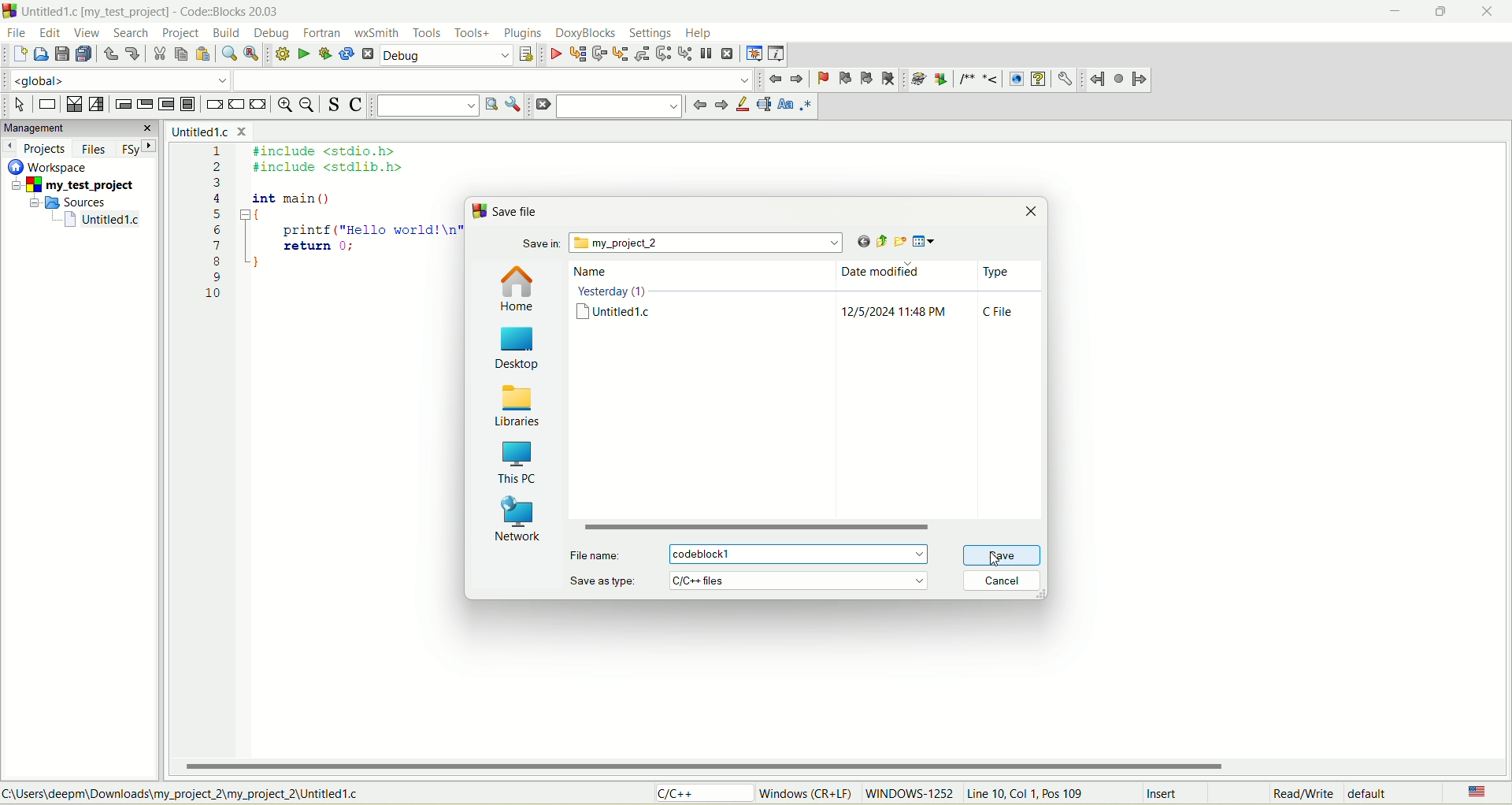  I want to click on settings, so click(650, 32).